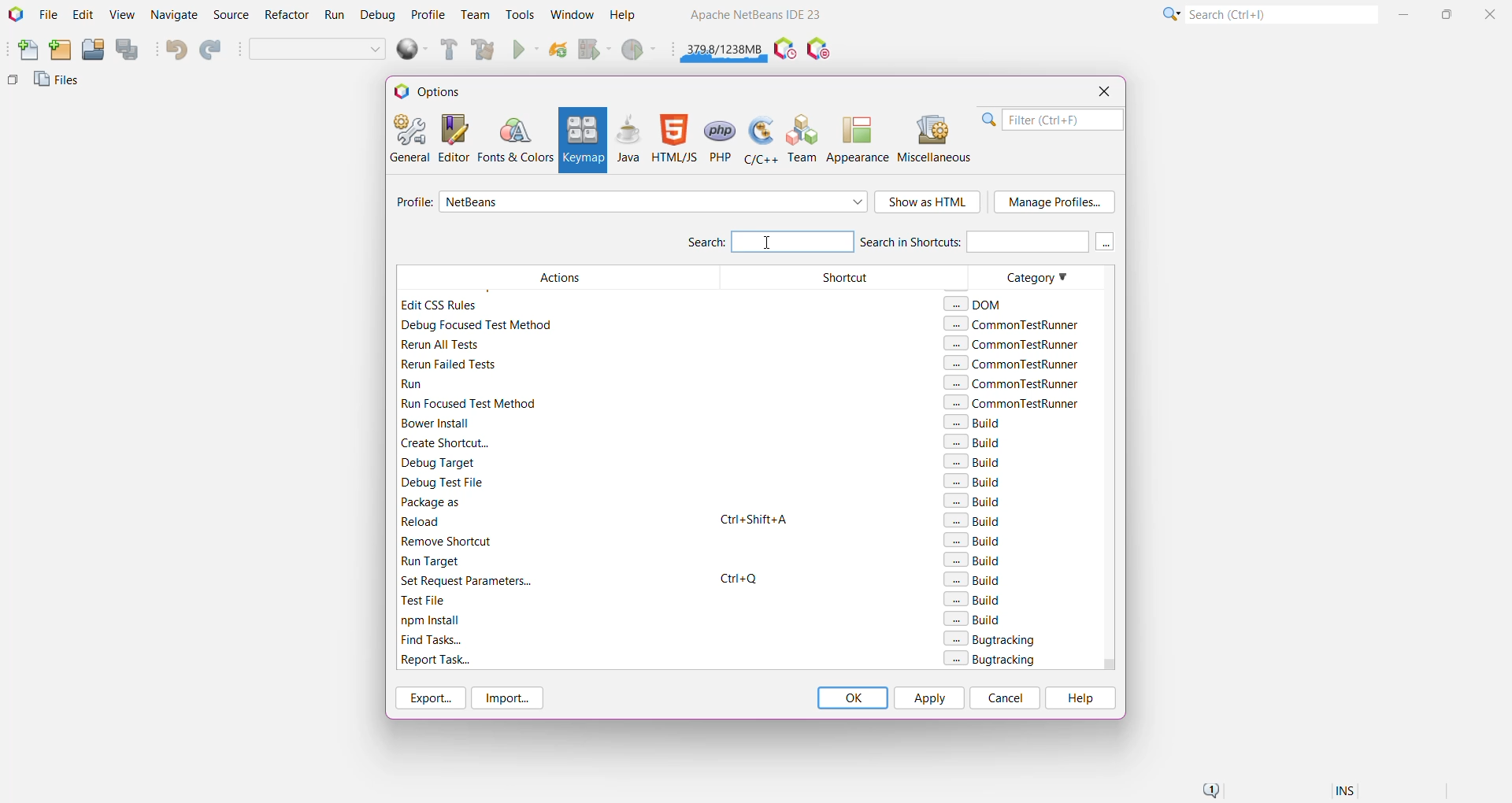 This screenshot has width=1512, height=803. Describe the element at coordinates (486, 51) in the screenshot. I see `Clean and Build Main Project` at that location.